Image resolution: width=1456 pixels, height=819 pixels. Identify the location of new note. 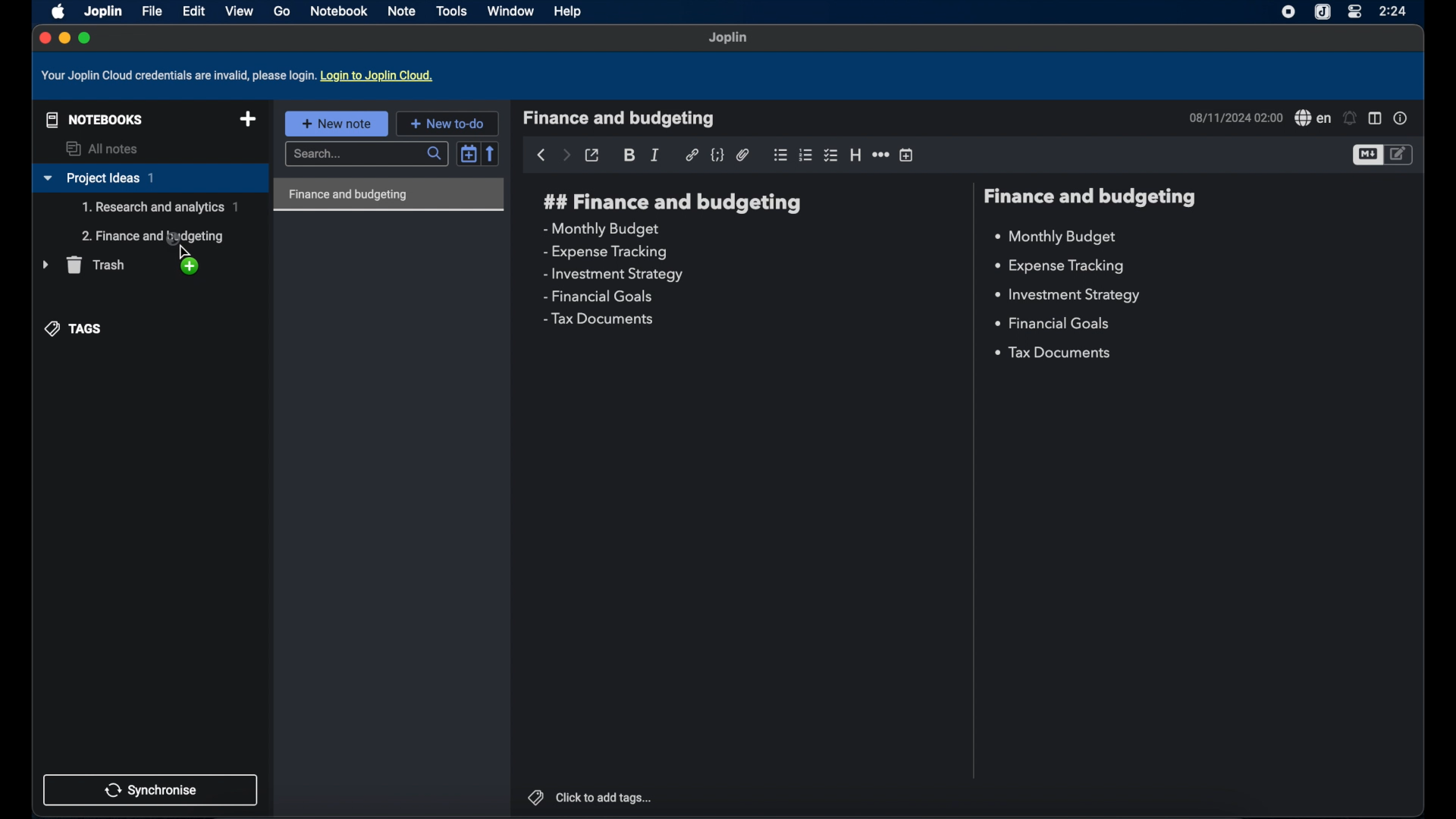
(336, 123).